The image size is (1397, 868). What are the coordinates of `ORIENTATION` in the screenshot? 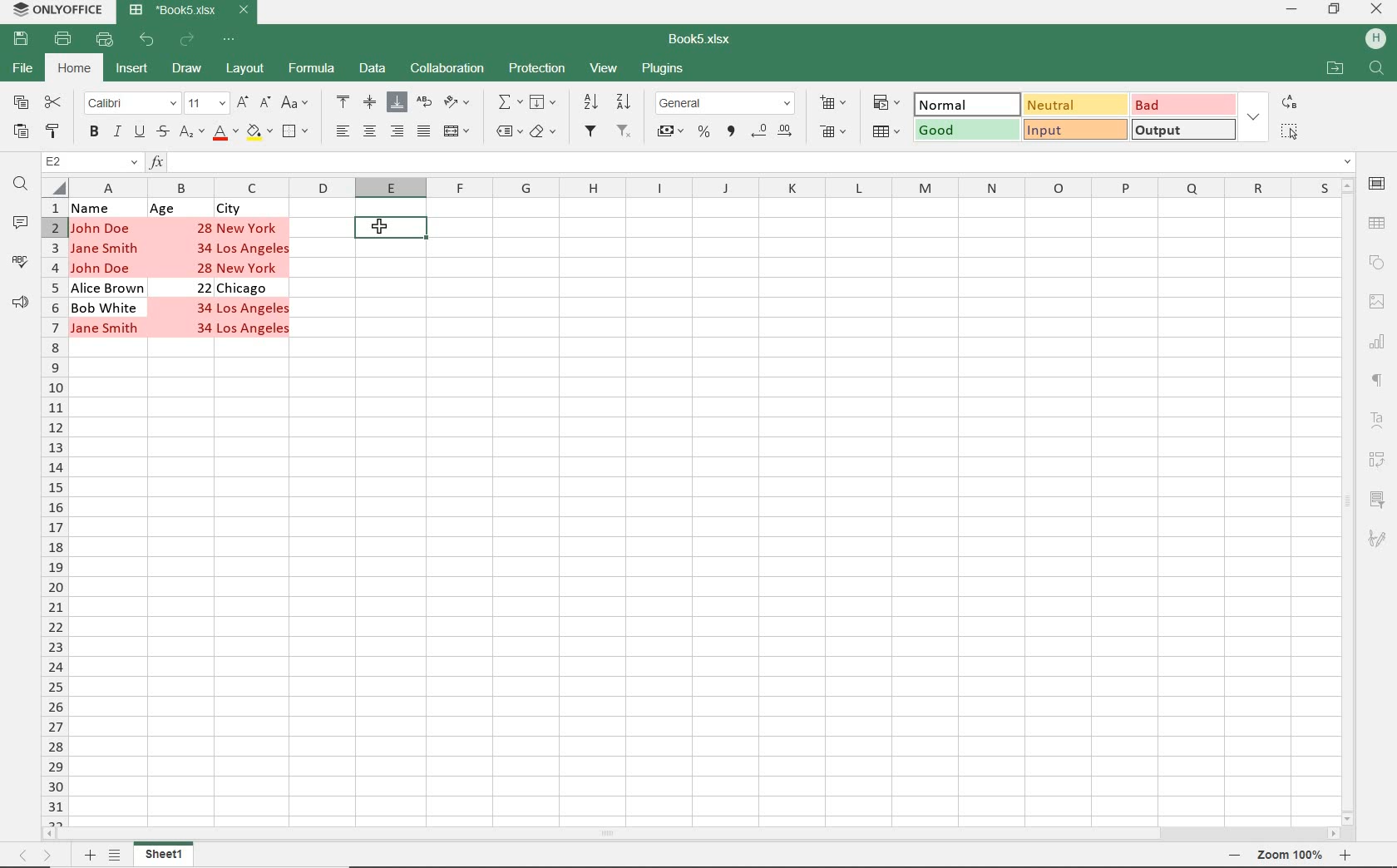 It's located at (462, 104).